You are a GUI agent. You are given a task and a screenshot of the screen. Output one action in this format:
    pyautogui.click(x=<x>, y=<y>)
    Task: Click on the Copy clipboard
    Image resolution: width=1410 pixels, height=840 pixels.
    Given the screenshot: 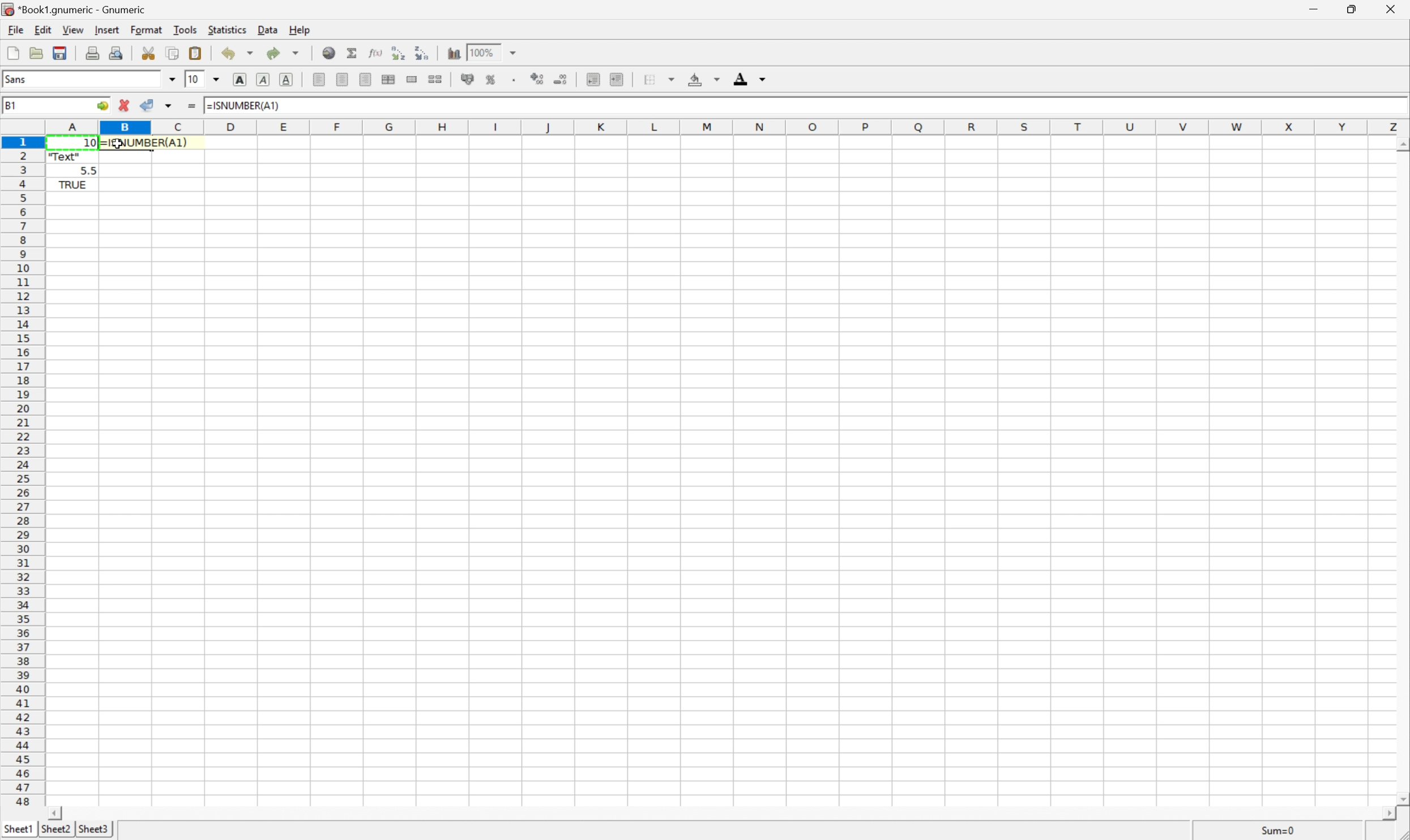 What is the action you would take?
    pyautogui.click(x=173, y=53)
    